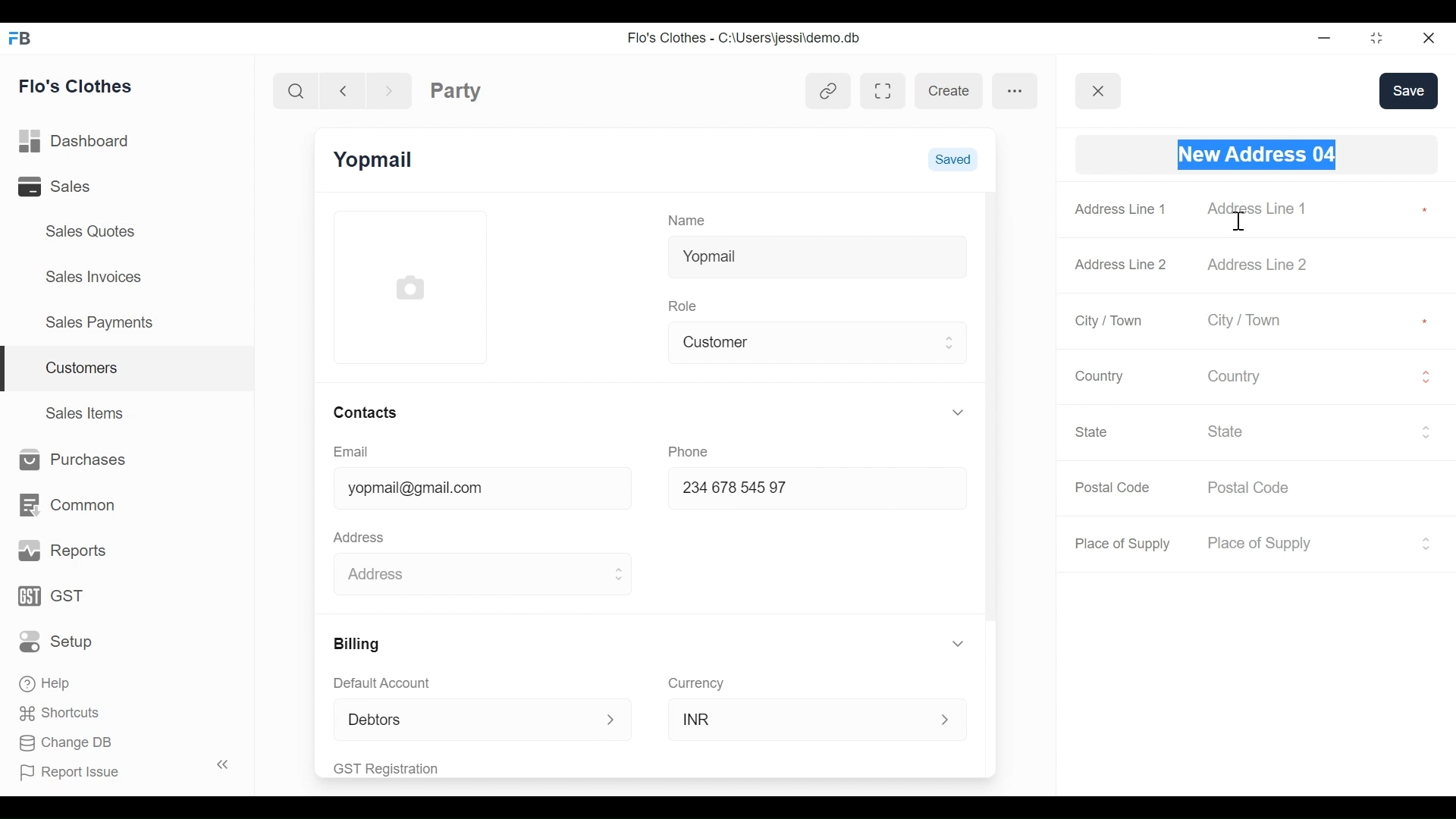 The width and height of the screenshot is (1456, 819). What do you see at coordinates (961, 644) in the screenshot?
I see `Expand` at bounding box center [961, 644].